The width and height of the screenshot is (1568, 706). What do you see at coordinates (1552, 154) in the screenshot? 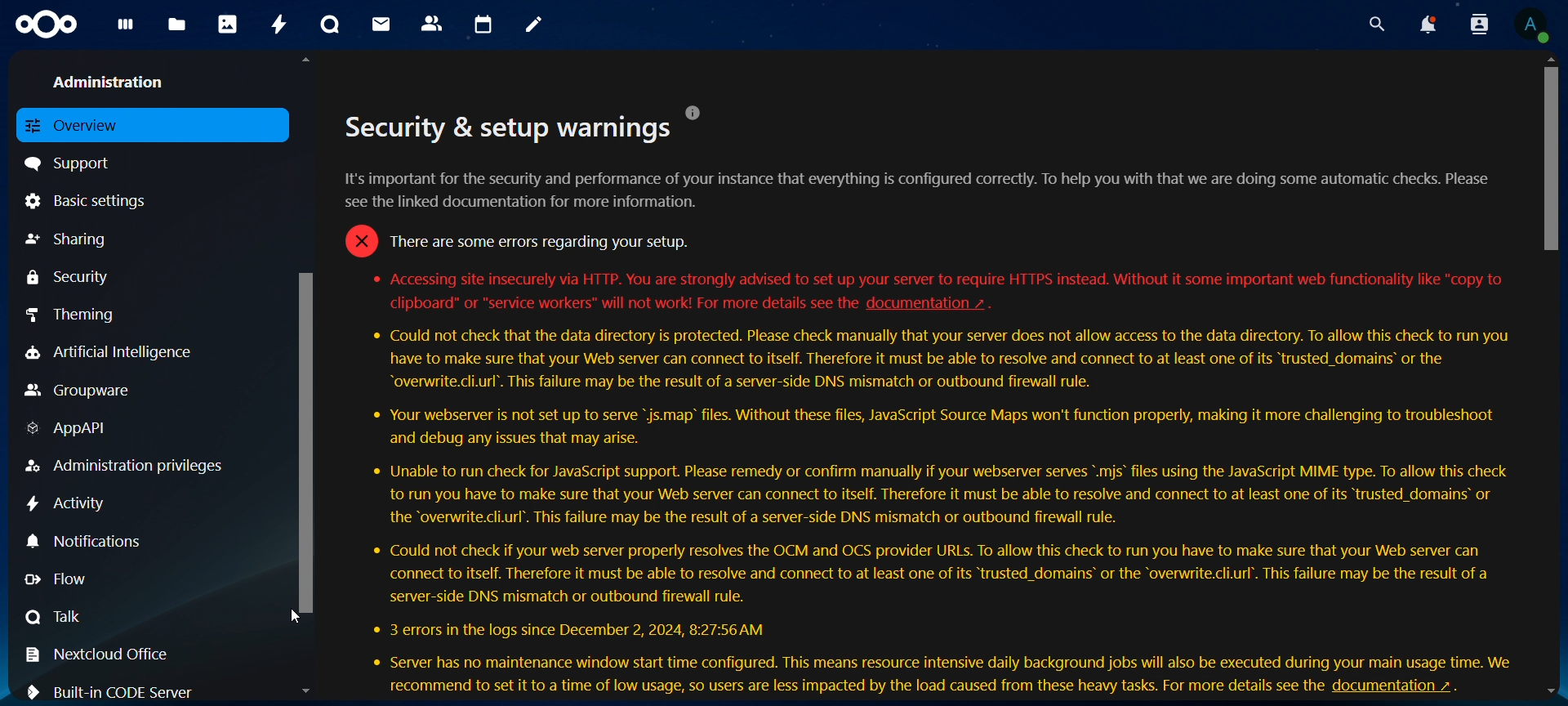
I see `scrollbar` at bounding box center [1552, 154].